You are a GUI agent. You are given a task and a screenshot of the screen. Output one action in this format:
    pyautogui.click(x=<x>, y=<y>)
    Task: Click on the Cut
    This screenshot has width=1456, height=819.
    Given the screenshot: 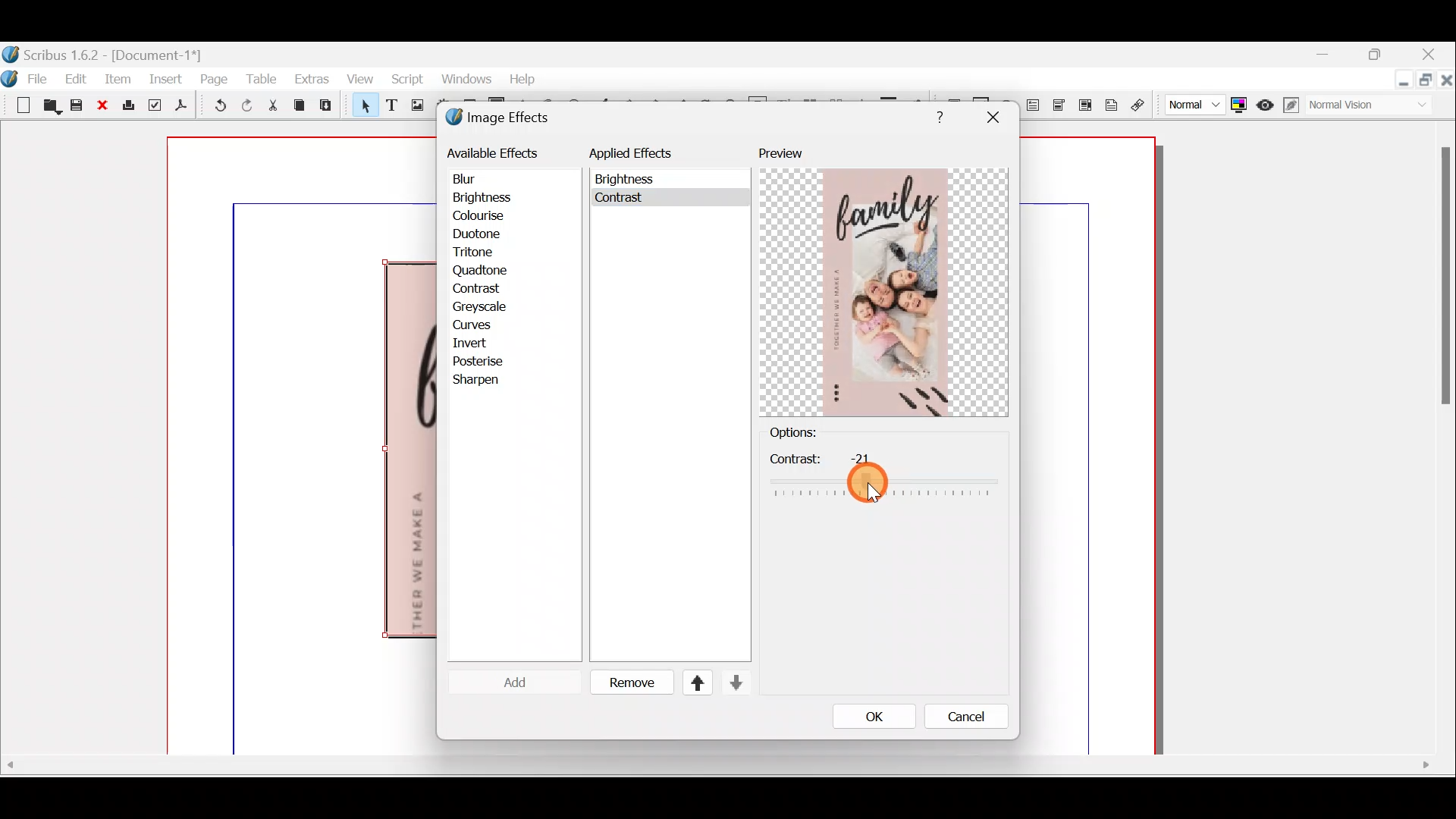 What is the action you would take?
    pyautogui.click(x=272, y=108)
    